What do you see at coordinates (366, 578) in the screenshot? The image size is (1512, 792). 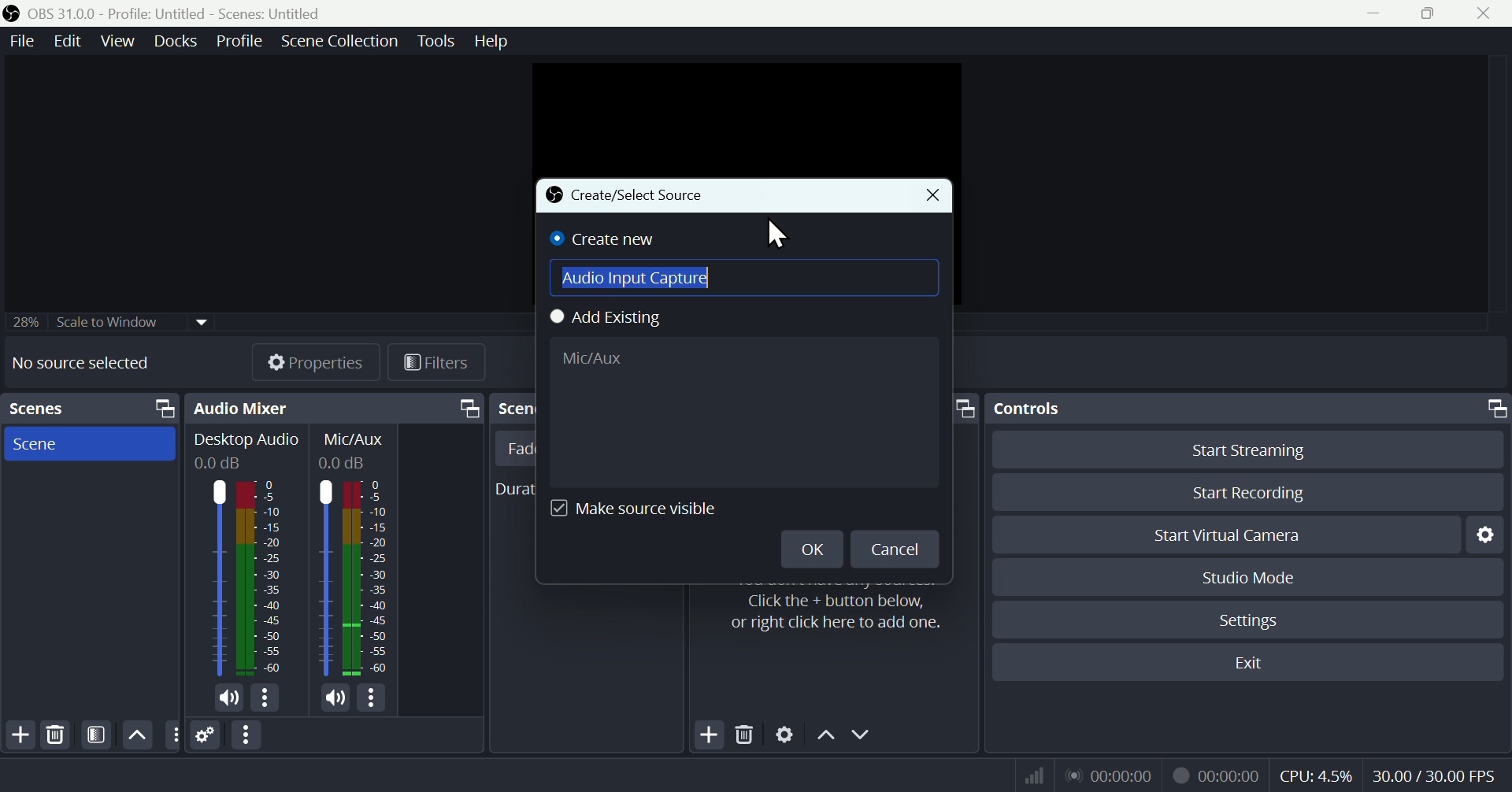 I see `Mic/Aux` at bounding box center [366, 578].